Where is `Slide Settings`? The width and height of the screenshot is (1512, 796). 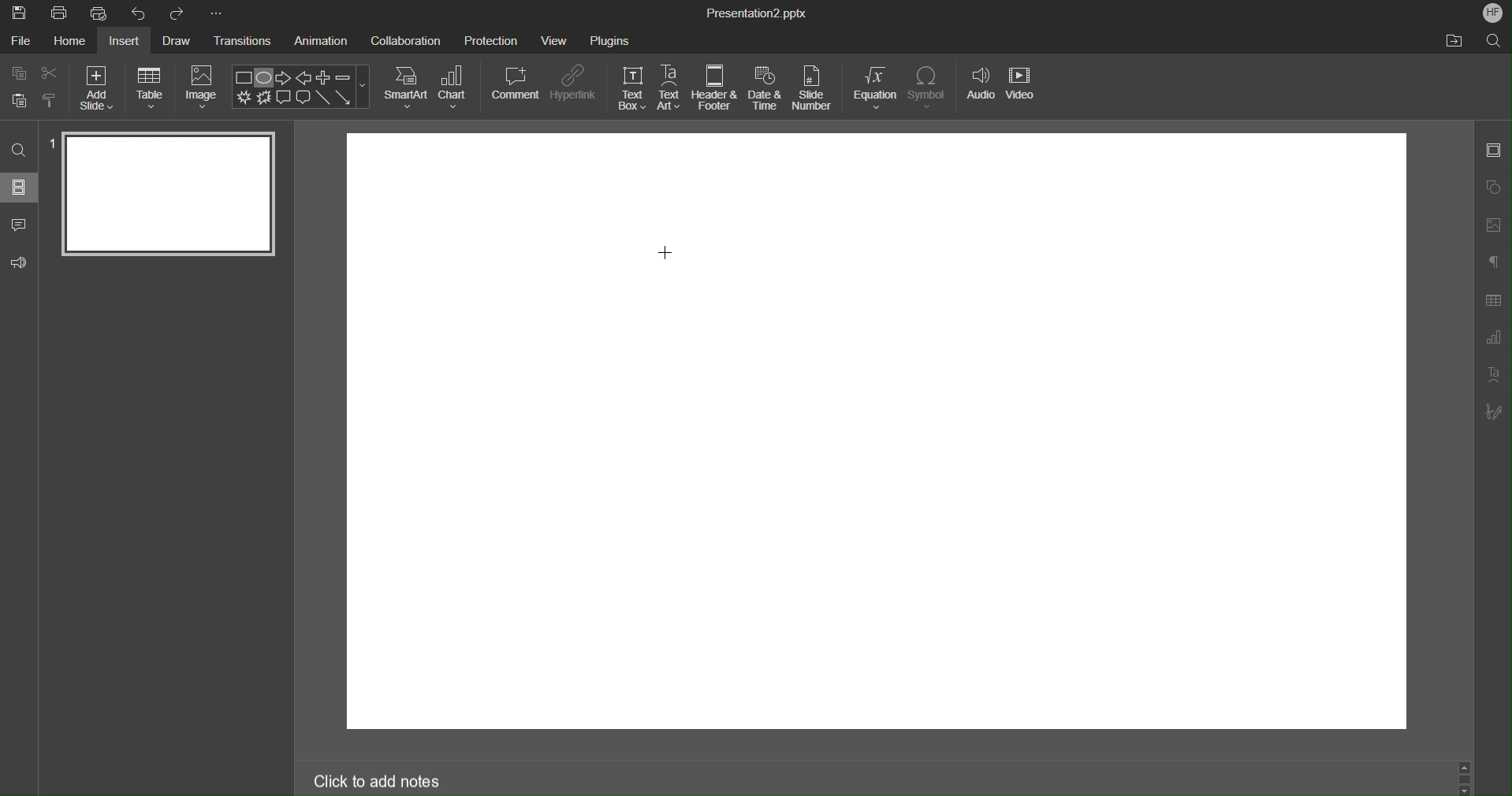
Slide Settings is located at coordinates (1493, 153).